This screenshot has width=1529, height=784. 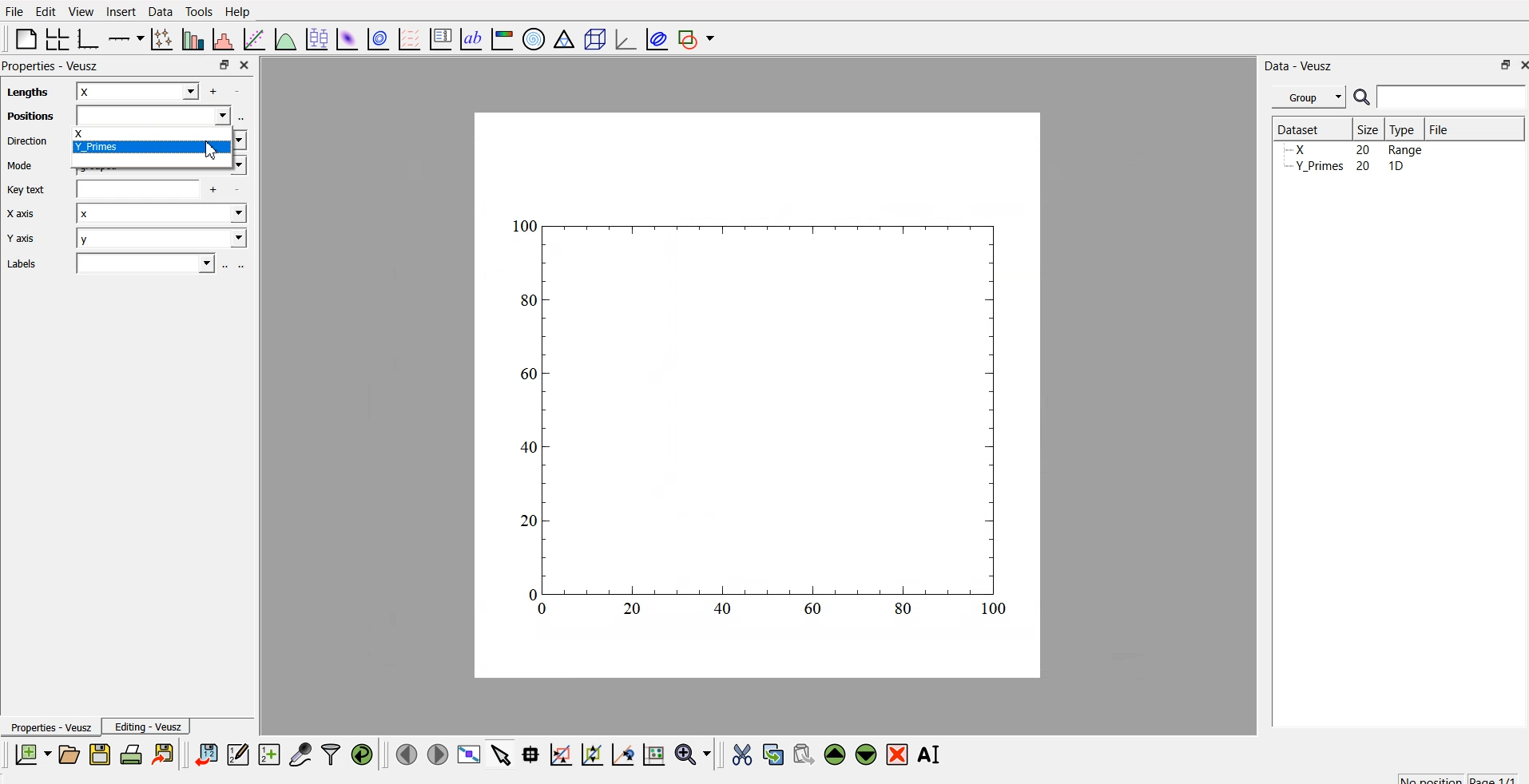 What do you see at coordinates (693, 754) in the screenshot?
I see `zoom menu` at bounding box center [693, 754].